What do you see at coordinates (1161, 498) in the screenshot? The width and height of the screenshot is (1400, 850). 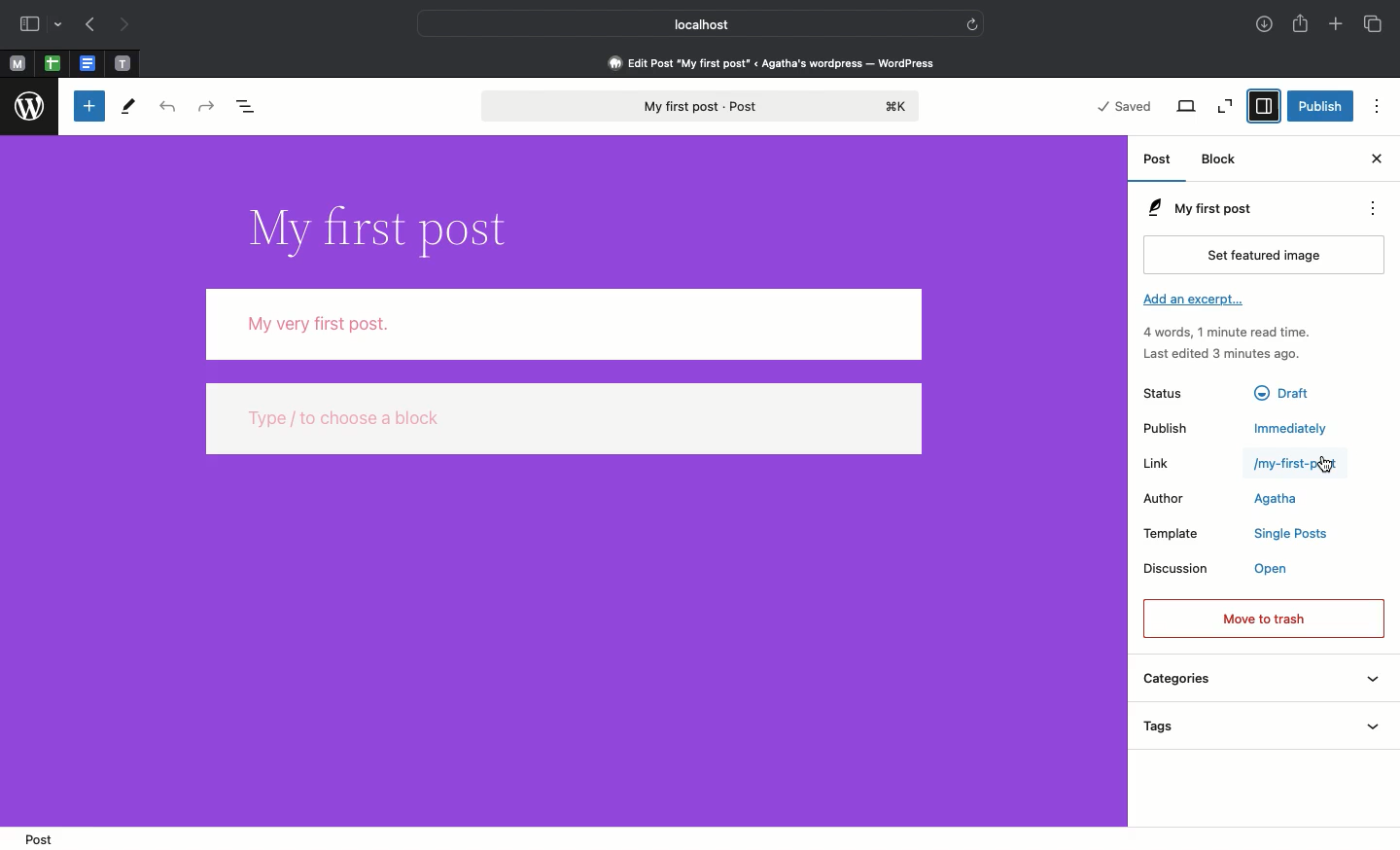 I see `Author` at bounding box center [1161, 498].